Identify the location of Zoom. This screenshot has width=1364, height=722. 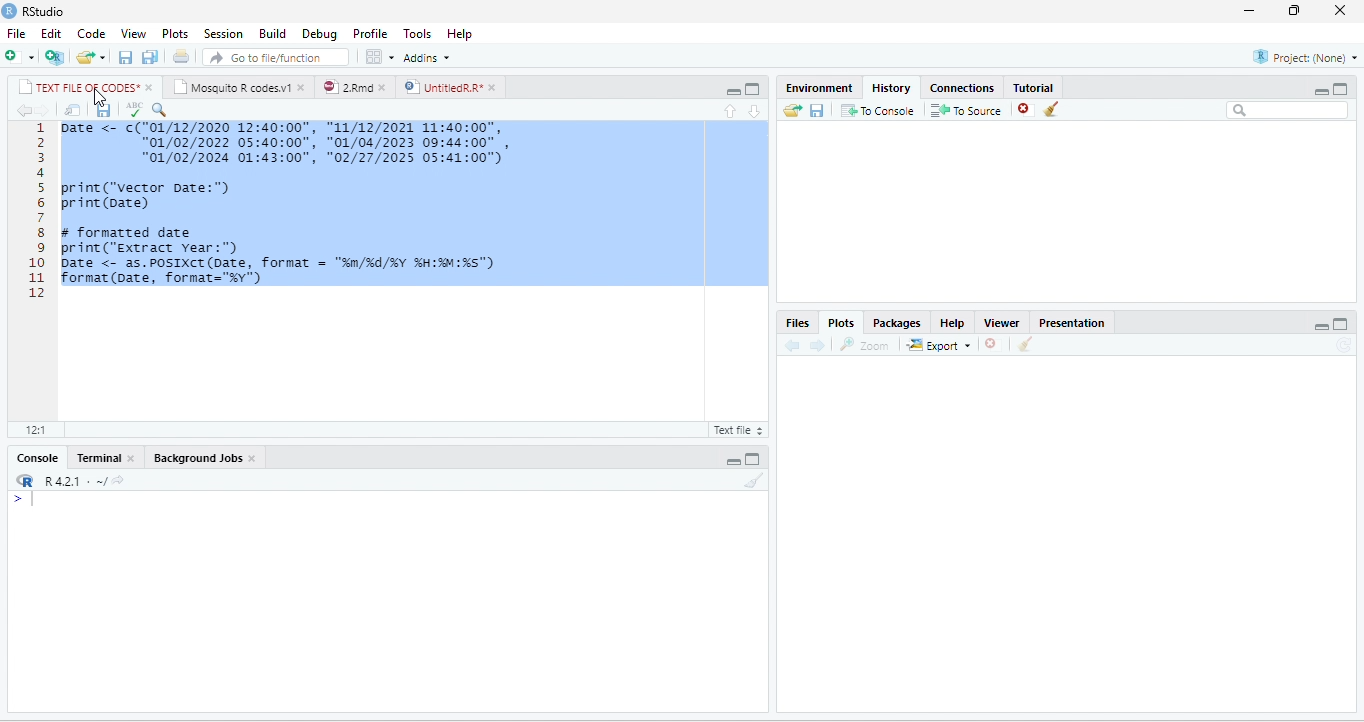
(864, 344).